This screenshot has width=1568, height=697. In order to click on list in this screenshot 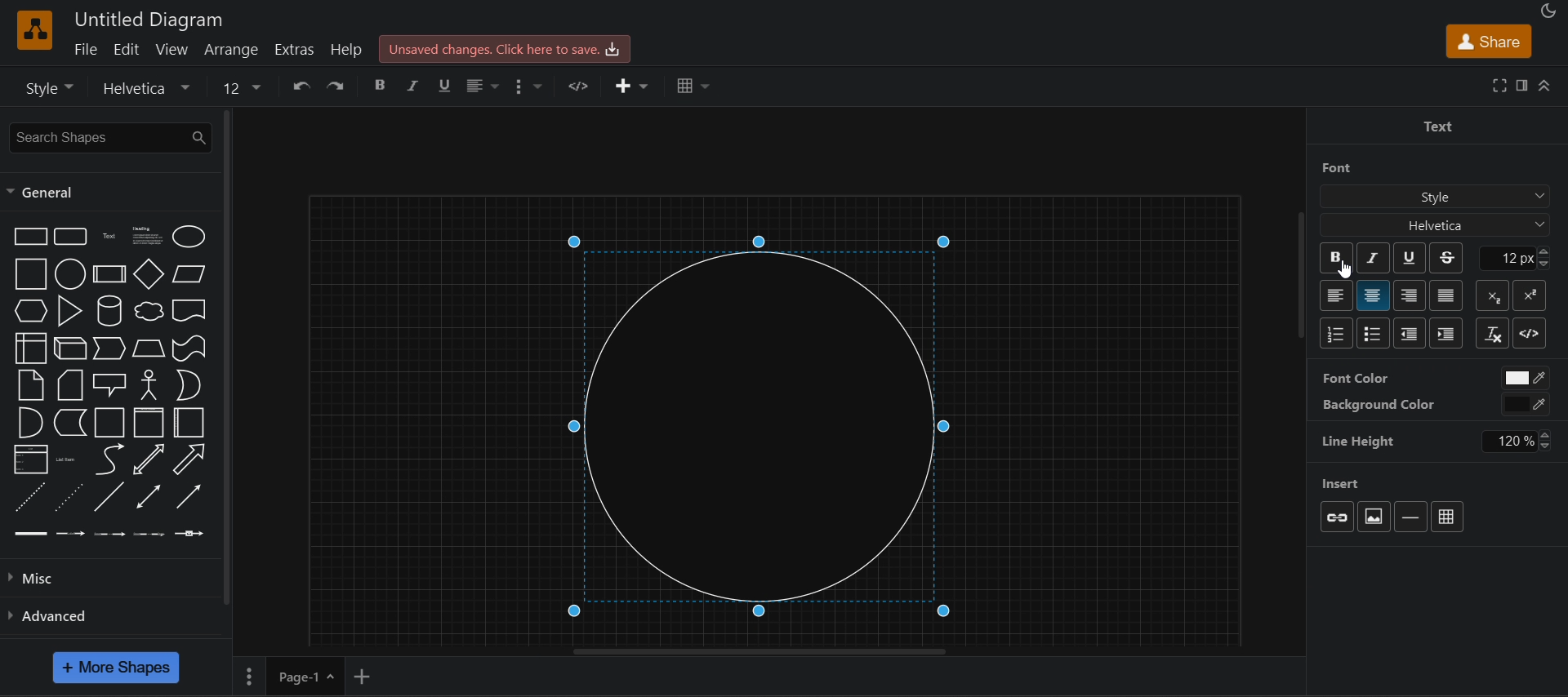, I will do `click(29, 458)`.